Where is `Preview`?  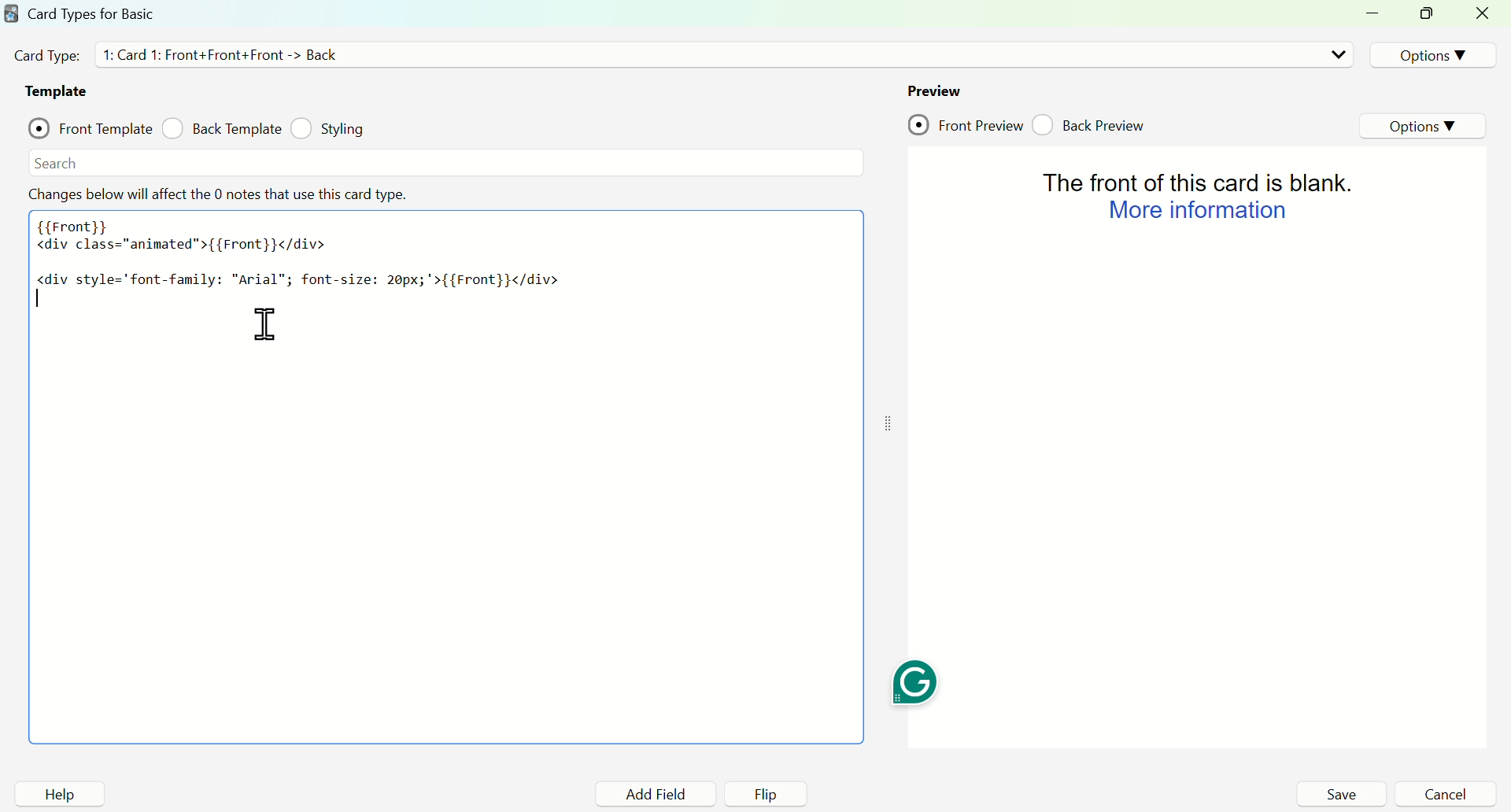 Preview is located at coordinates (934, 90).